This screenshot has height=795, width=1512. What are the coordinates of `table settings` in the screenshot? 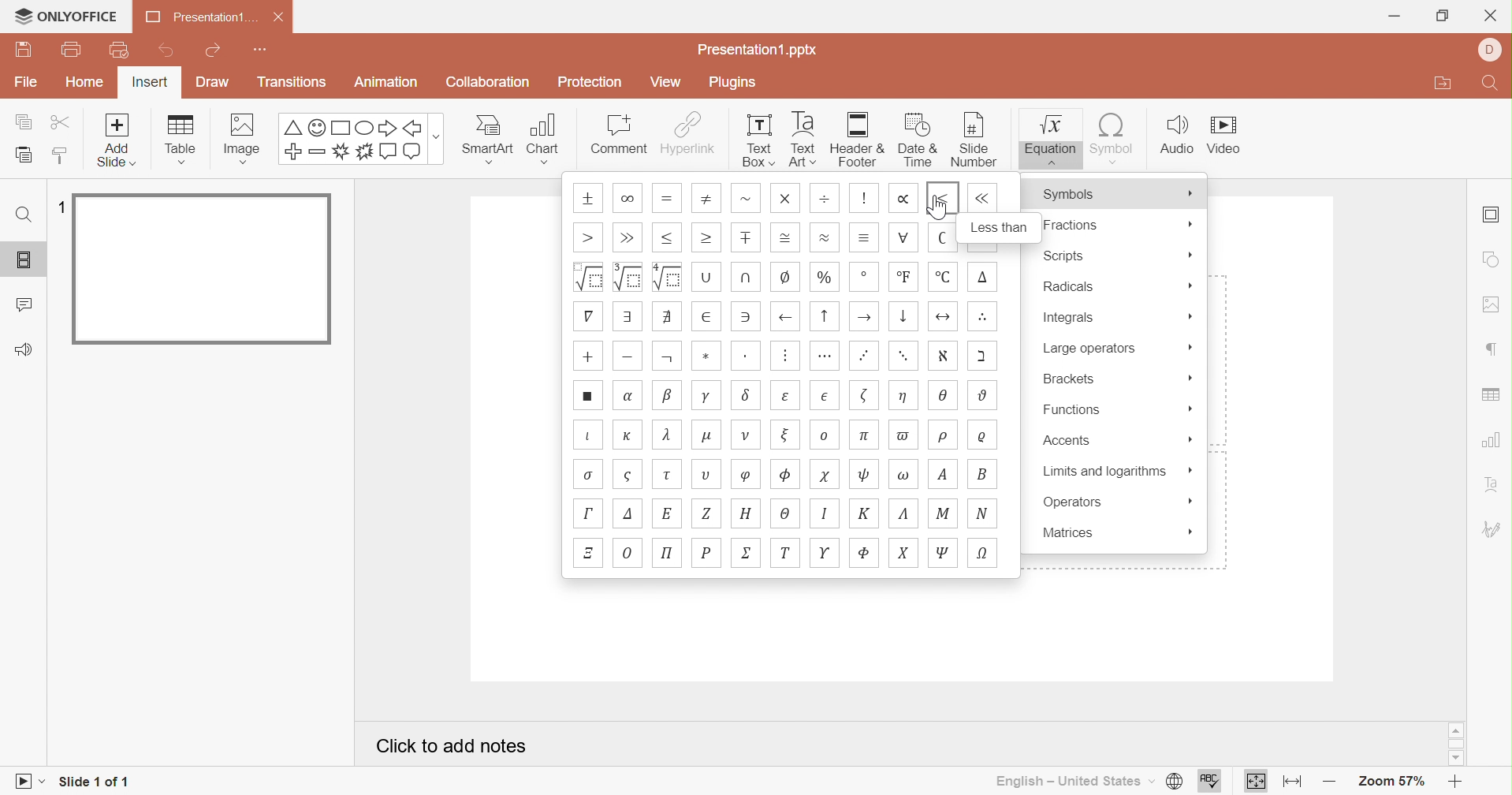 It's located at (1493, 396).